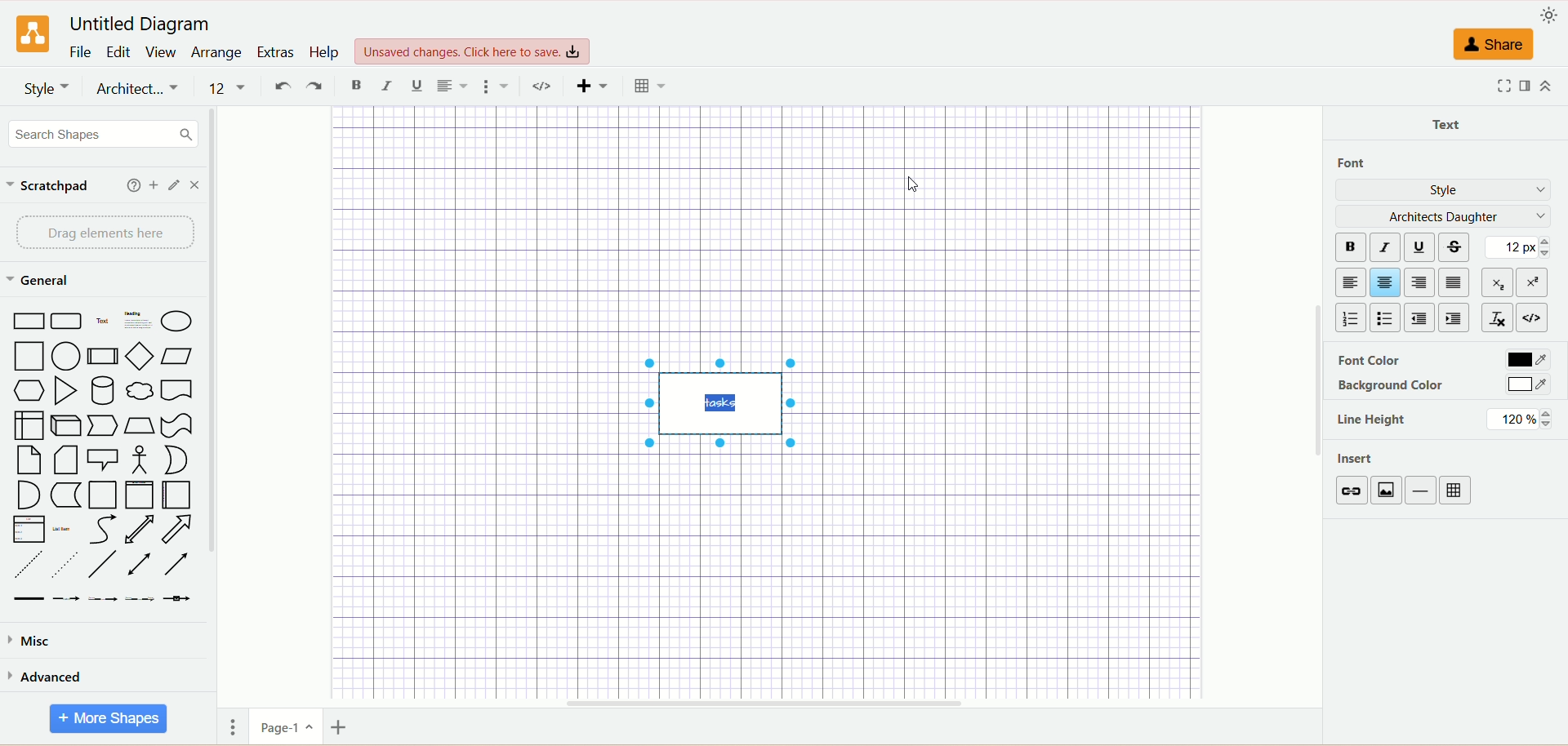 This screenshot has width=1568, height=746. What do you see at coordinates (176, 392) in the screenshot?
I see `Bookmark` at bounding box center [176, 392].